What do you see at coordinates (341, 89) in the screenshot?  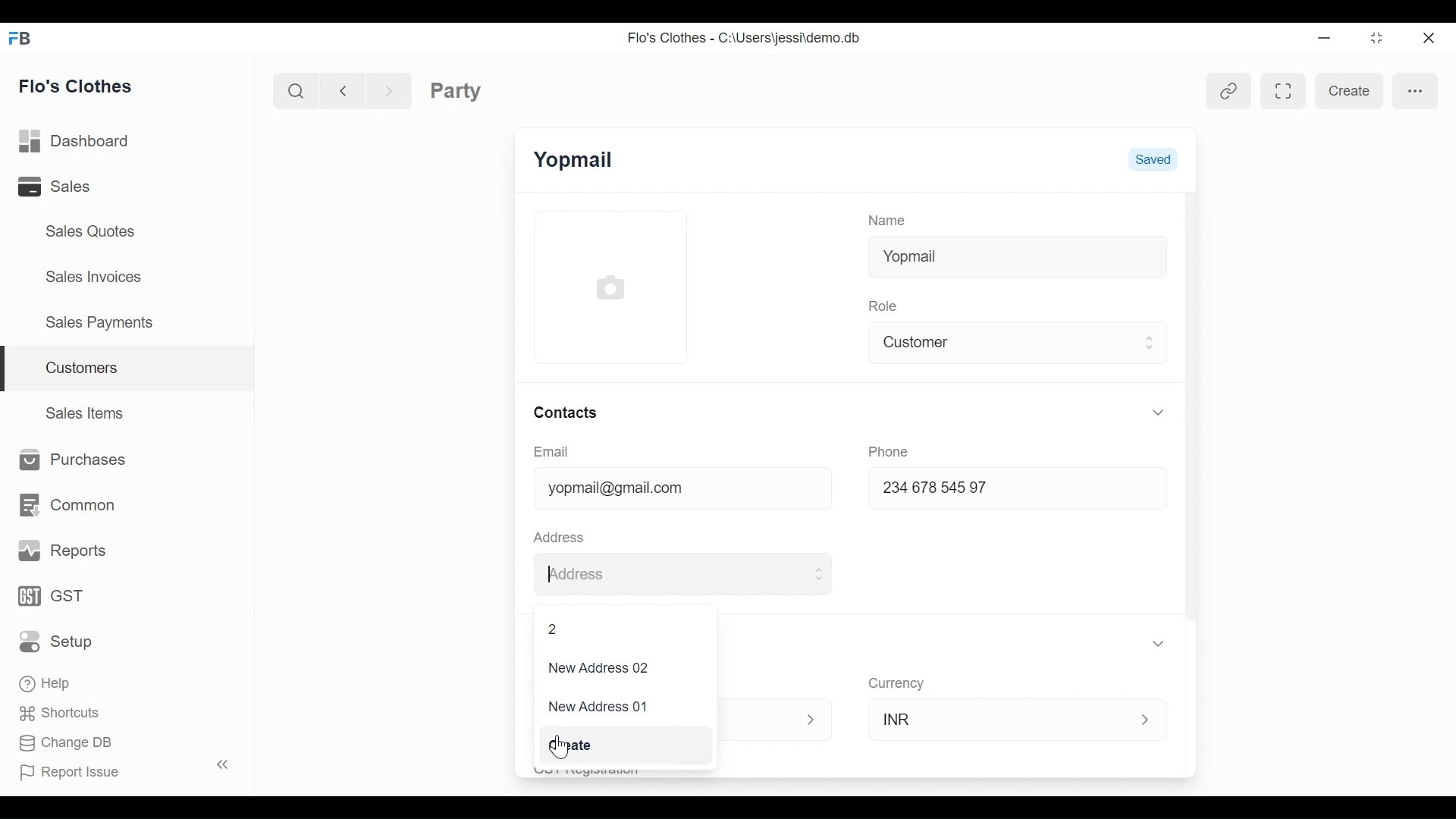 I see `Navigate back` at bounding box center [341, 89].